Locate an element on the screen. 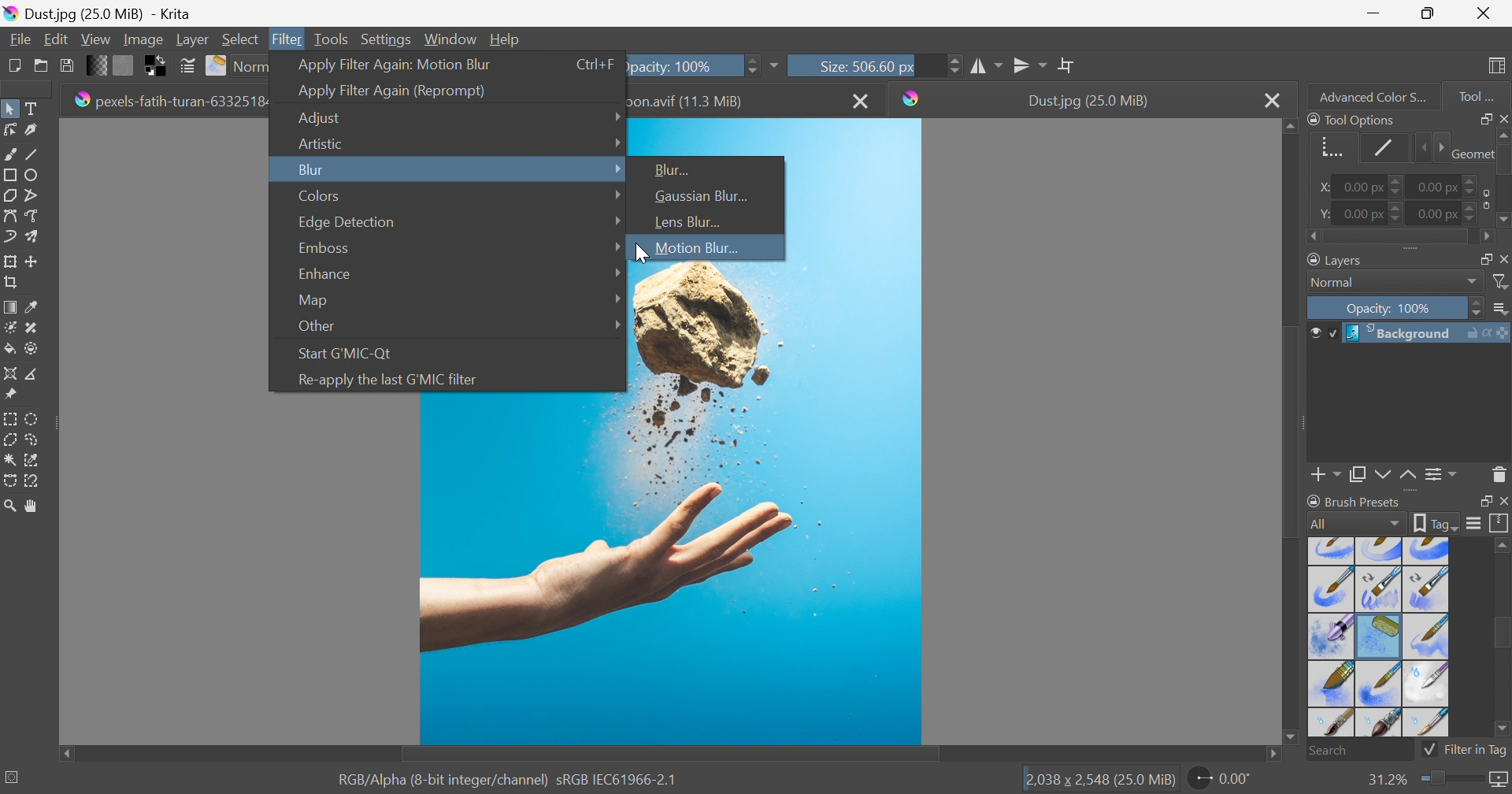 This screenshot has width=1512, height=794. Rectangular selection tool is located at coordinates (12, 416).